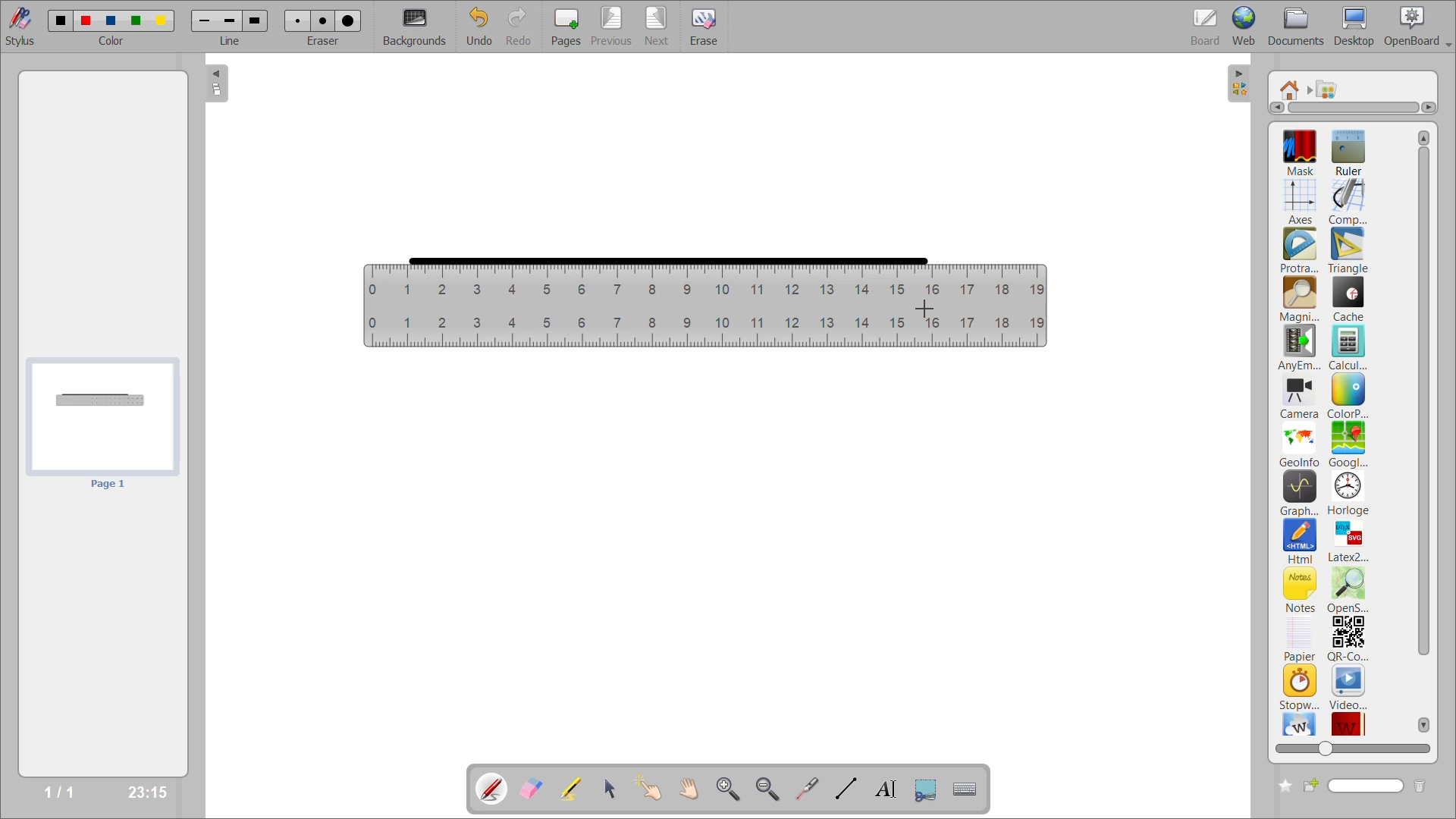  What do you see at coordinates (323, 20) in the screenshot?
I see `eraser 2` at bounding box center [323, 20].